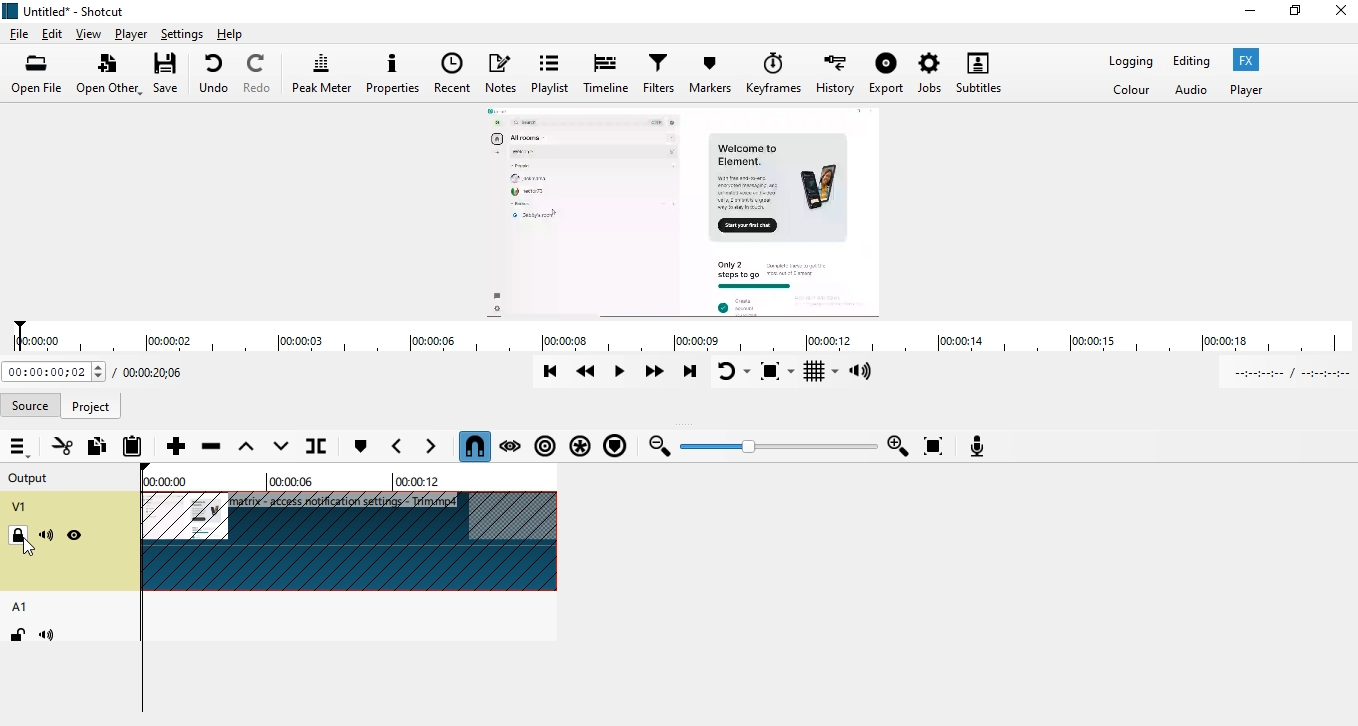  I want to click on timeline, so click(608, 75).